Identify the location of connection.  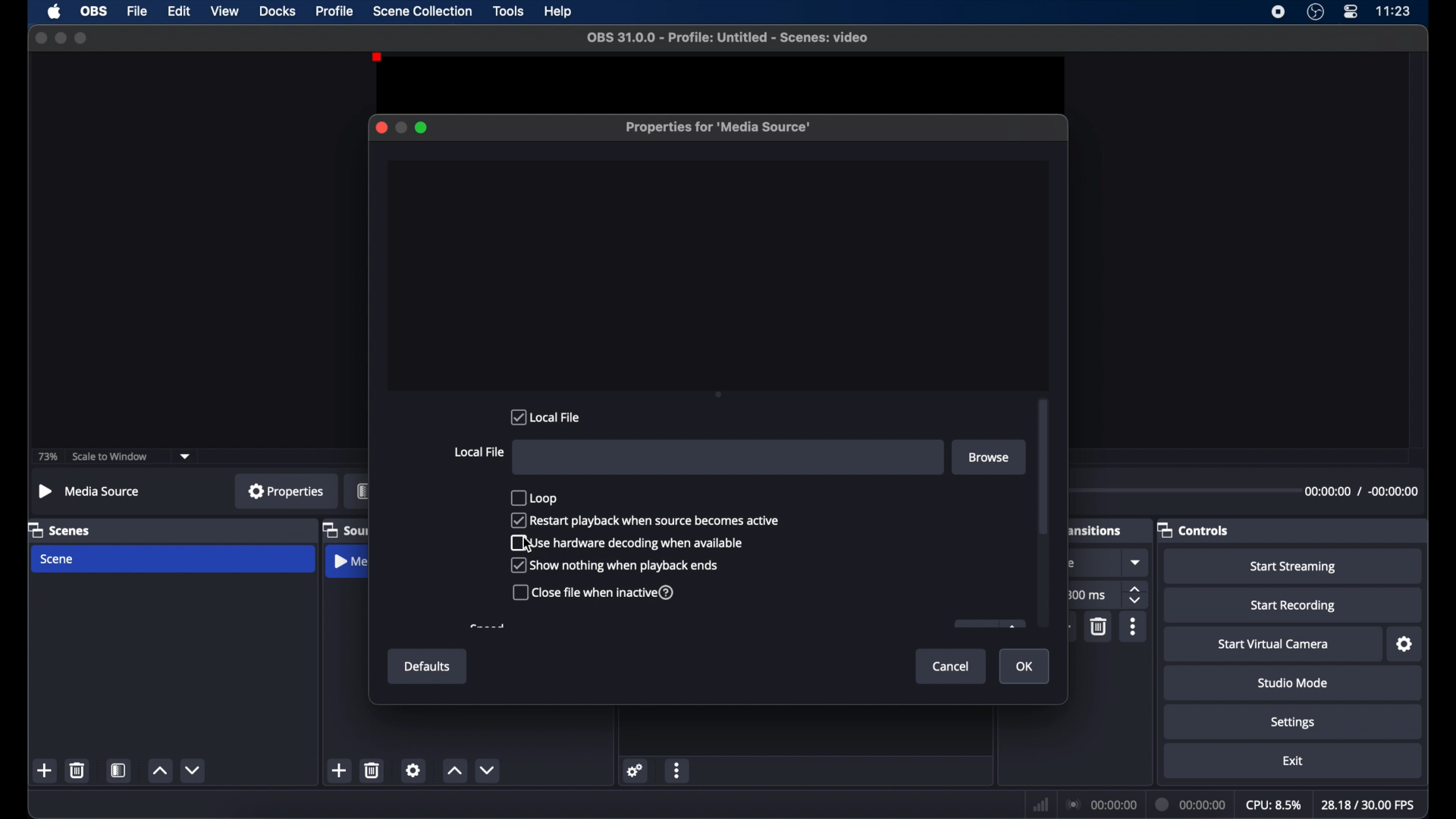
(1103, 805).